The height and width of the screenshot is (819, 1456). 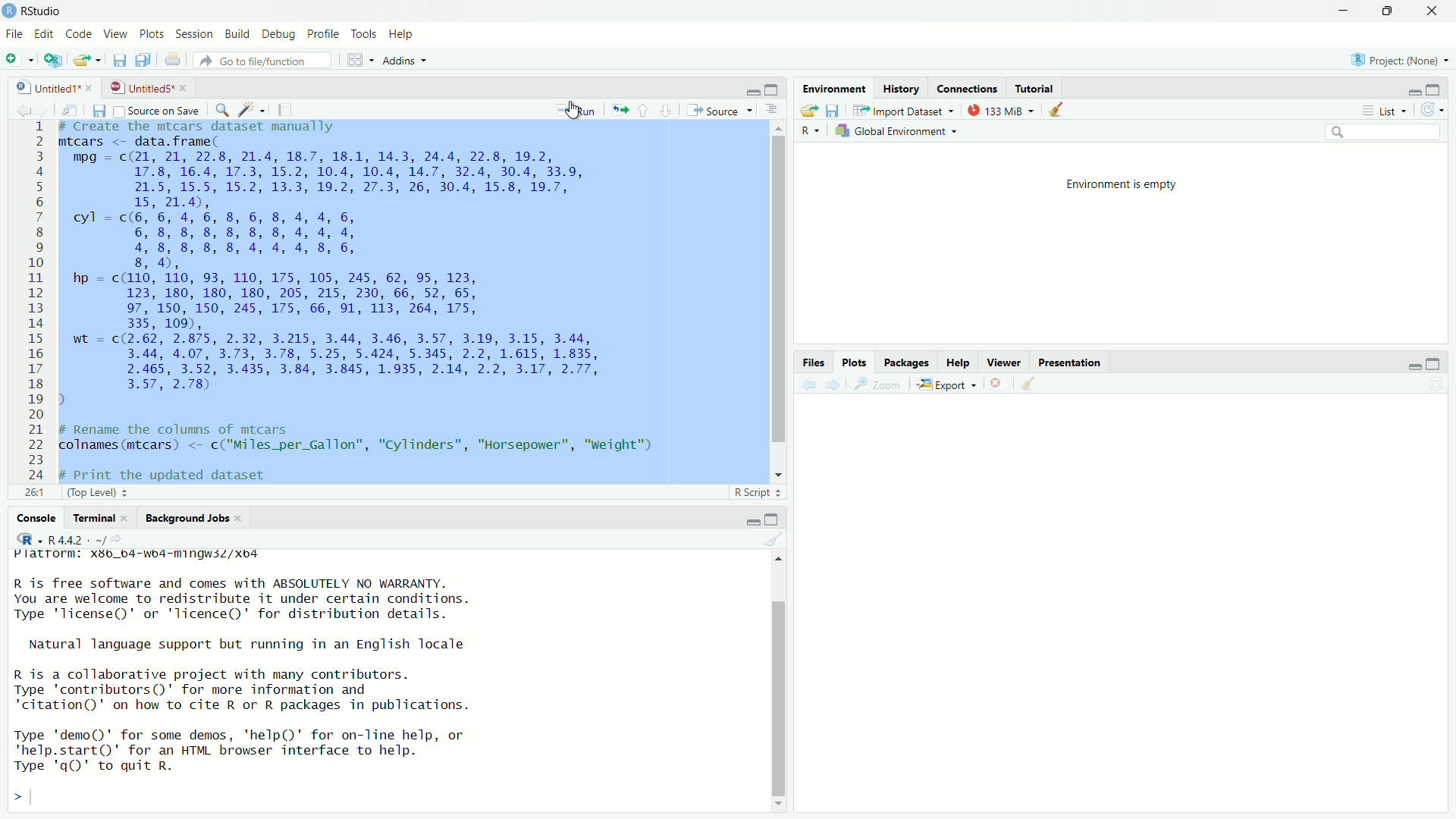 I want to click on Presentation, so click(x=1072, y=364).